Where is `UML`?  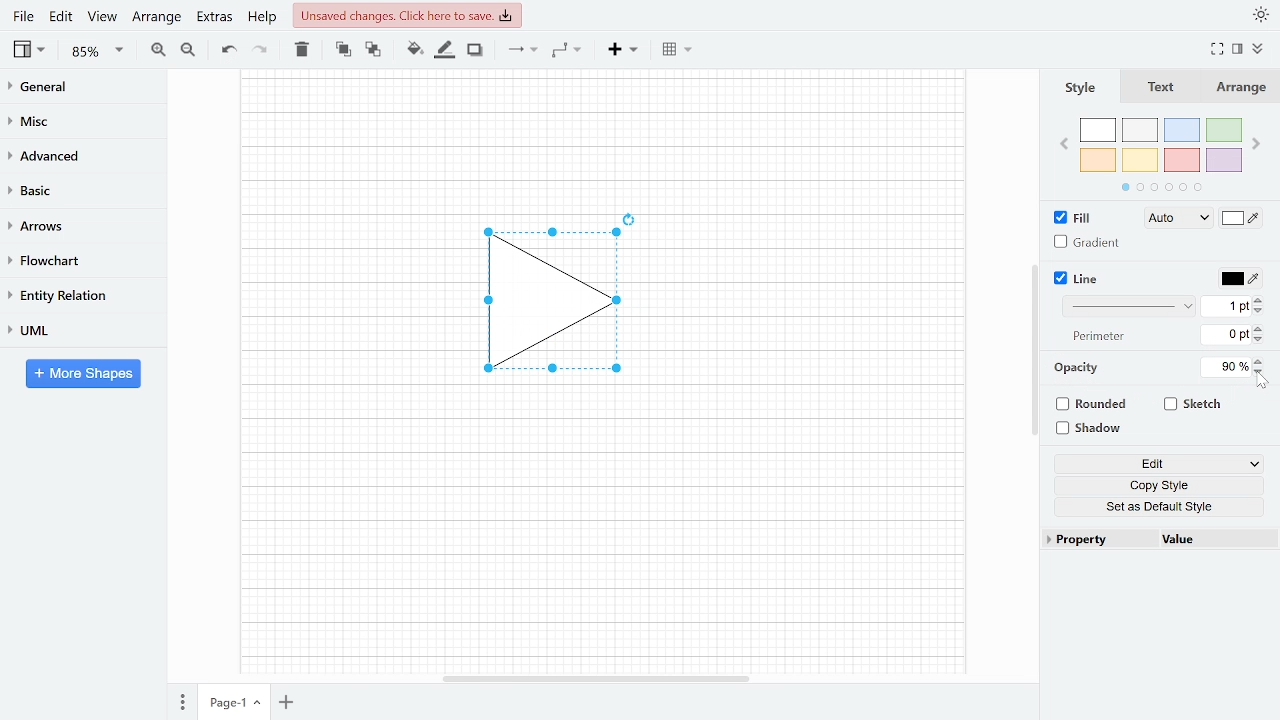 UML is located at coordinates (74, 330).